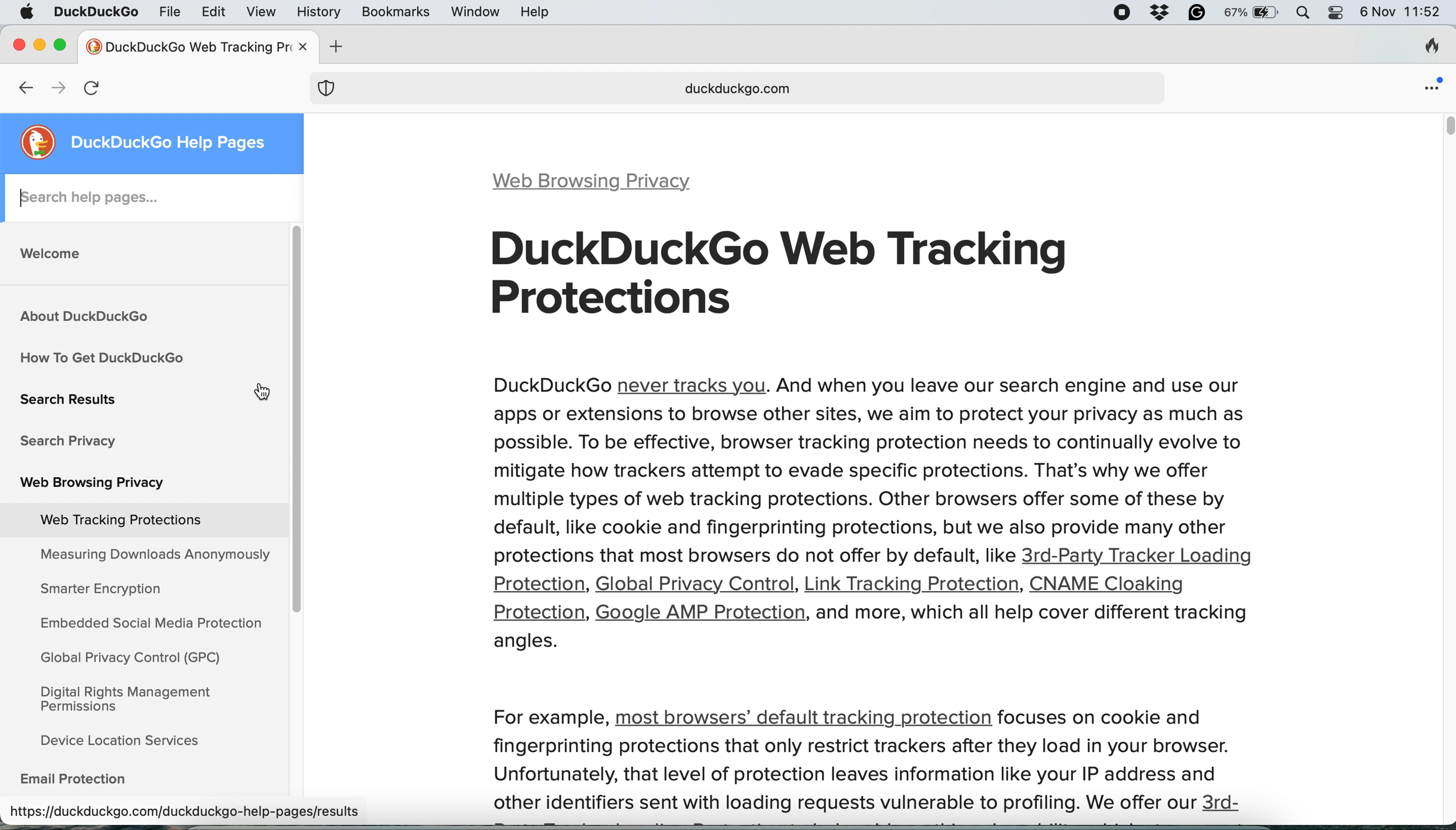 Image resolution: width=1456 pixels, height=830 pixels. I want to click on 6 Nov 11:52, so click(1404, 13).